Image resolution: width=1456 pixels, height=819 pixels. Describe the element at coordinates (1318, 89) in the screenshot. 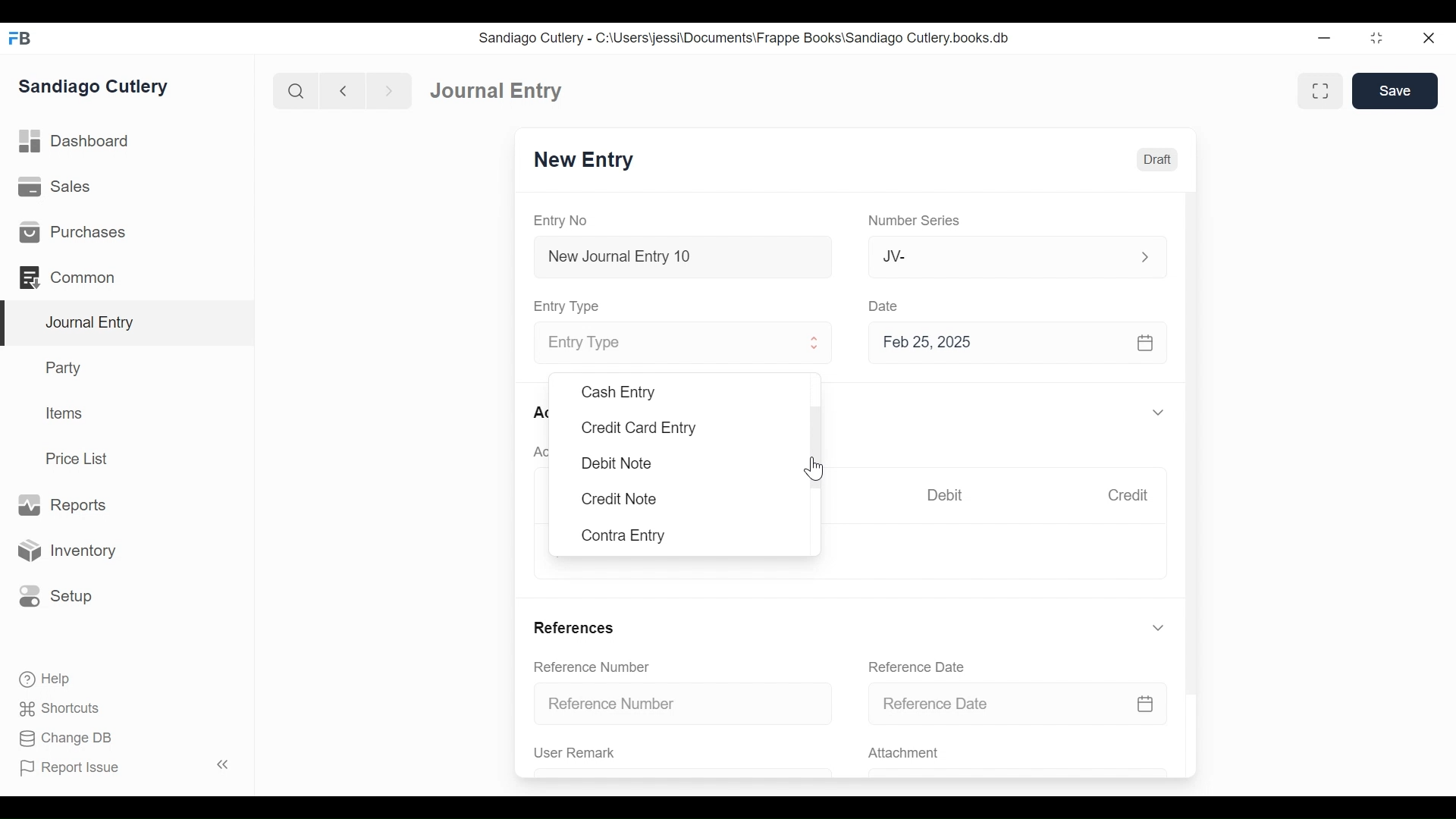

I see `Toggle between form and full width` at that location.